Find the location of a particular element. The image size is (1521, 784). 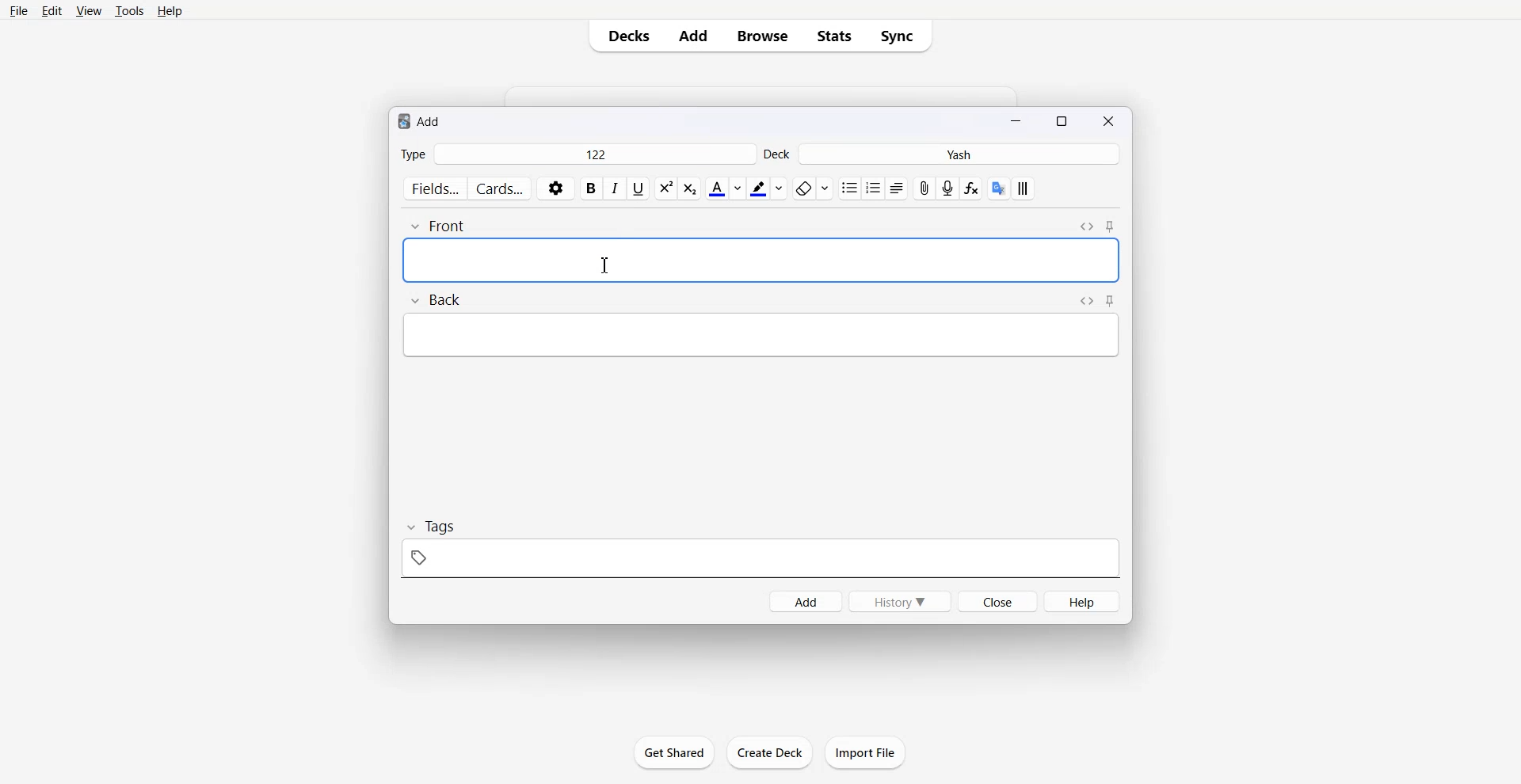

Attach File is located at coordinates (924, 188).